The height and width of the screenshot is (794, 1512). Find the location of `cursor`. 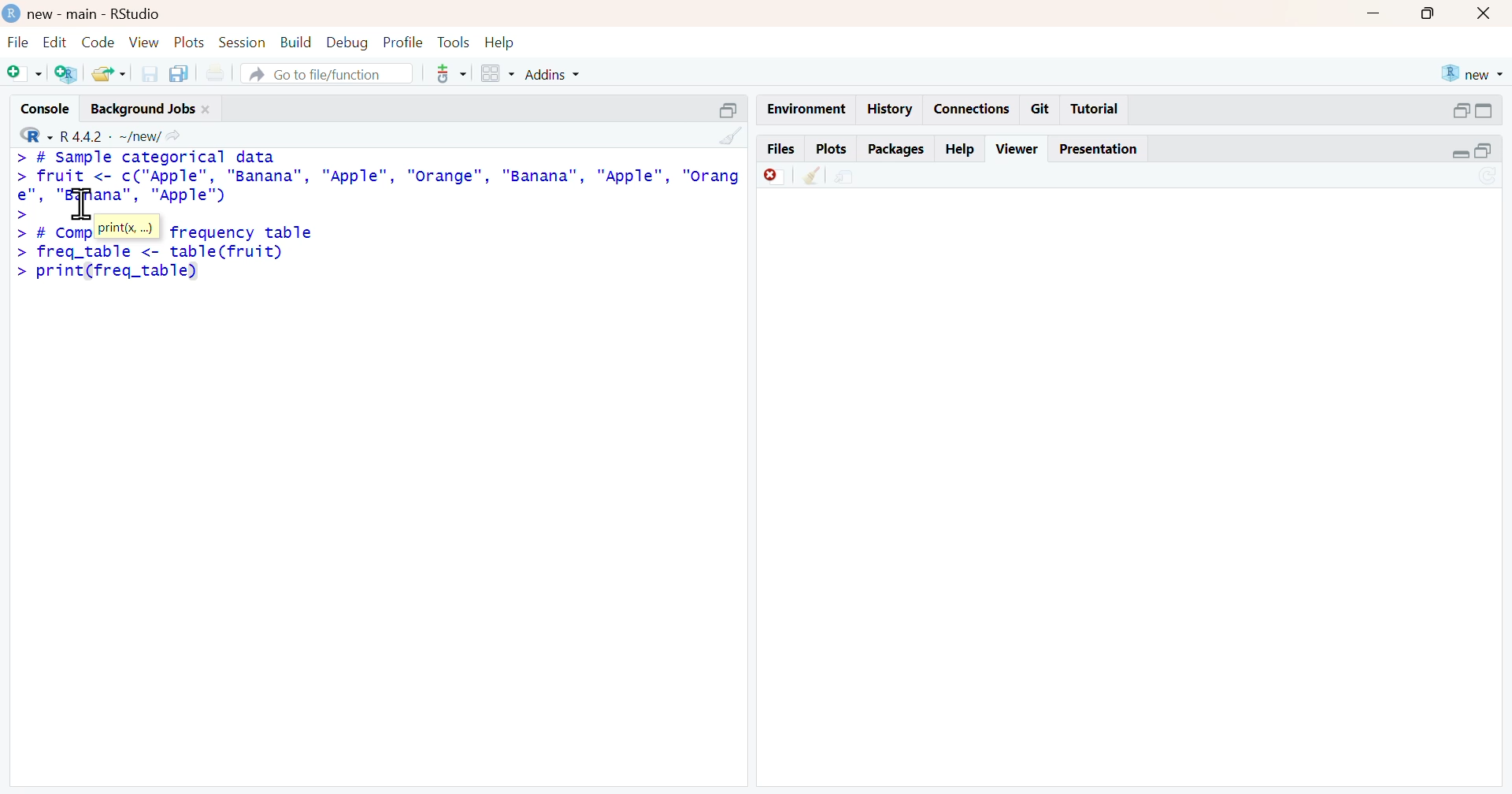

cursor is located at coordinates (83, 206).